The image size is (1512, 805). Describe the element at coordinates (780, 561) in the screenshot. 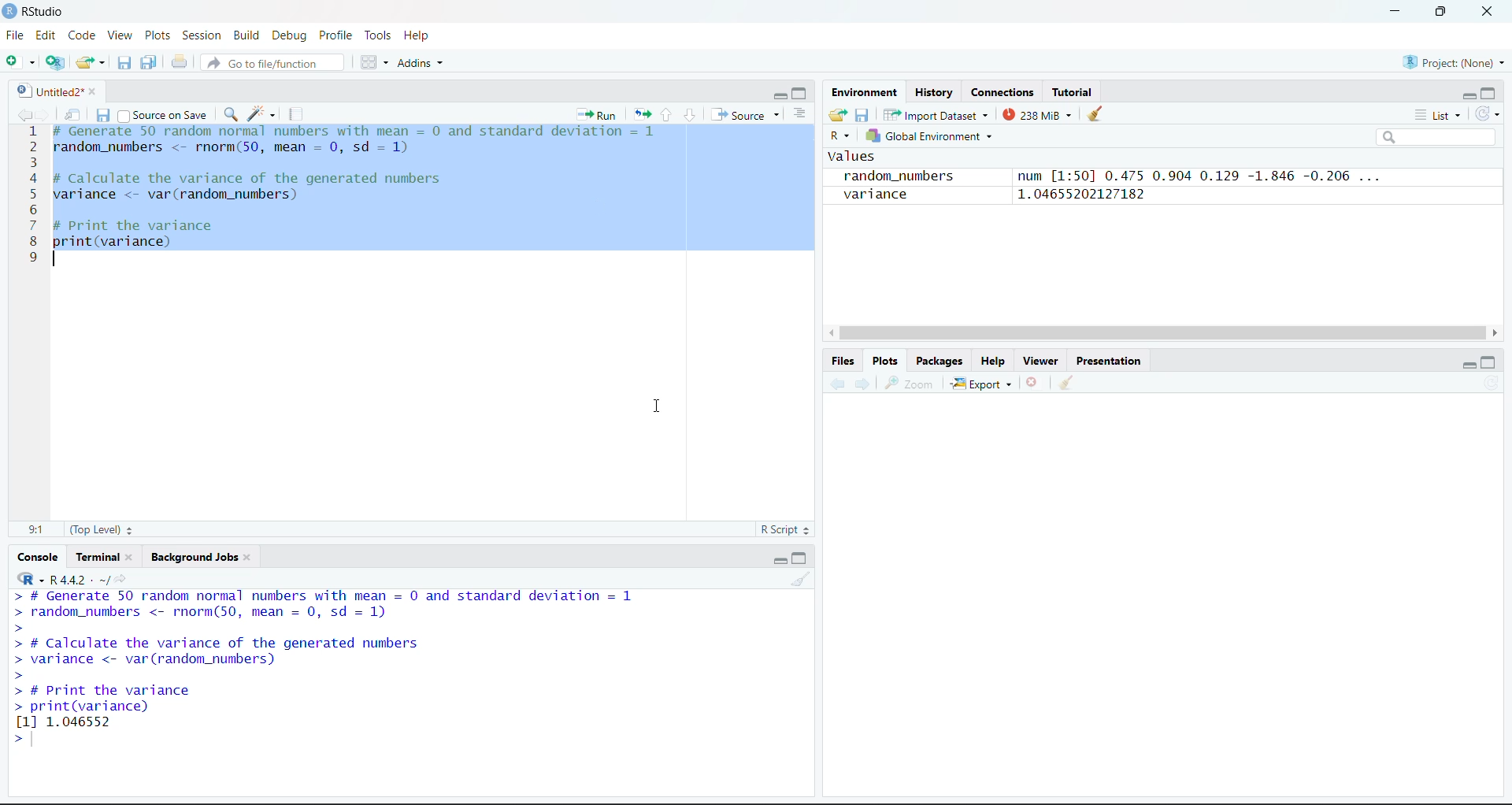

I see `minimize` at that location.